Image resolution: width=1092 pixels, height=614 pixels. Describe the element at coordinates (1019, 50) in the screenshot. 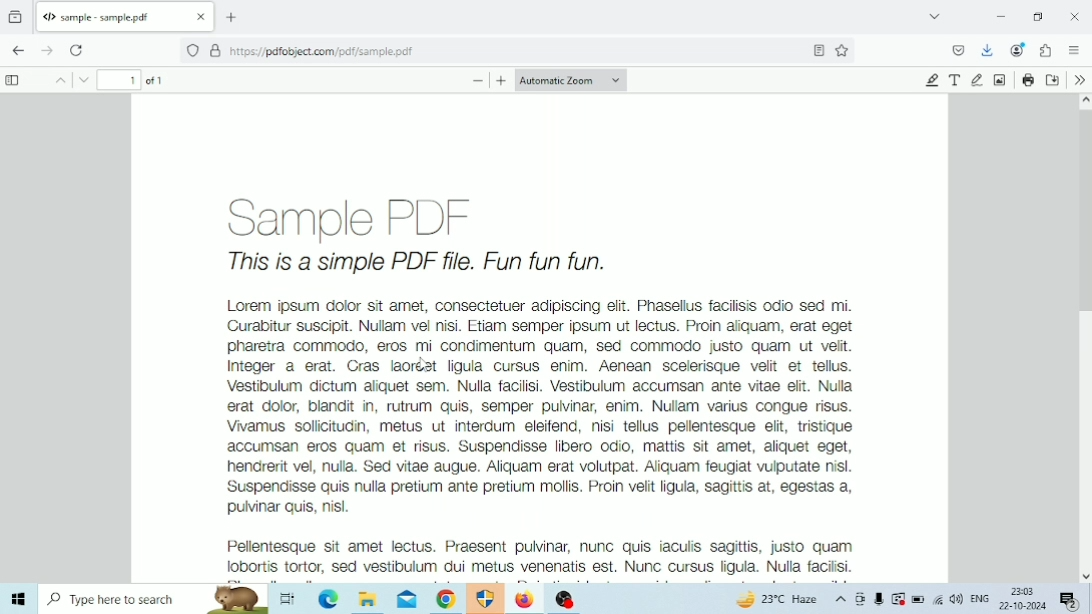

I see `Account` at that location.